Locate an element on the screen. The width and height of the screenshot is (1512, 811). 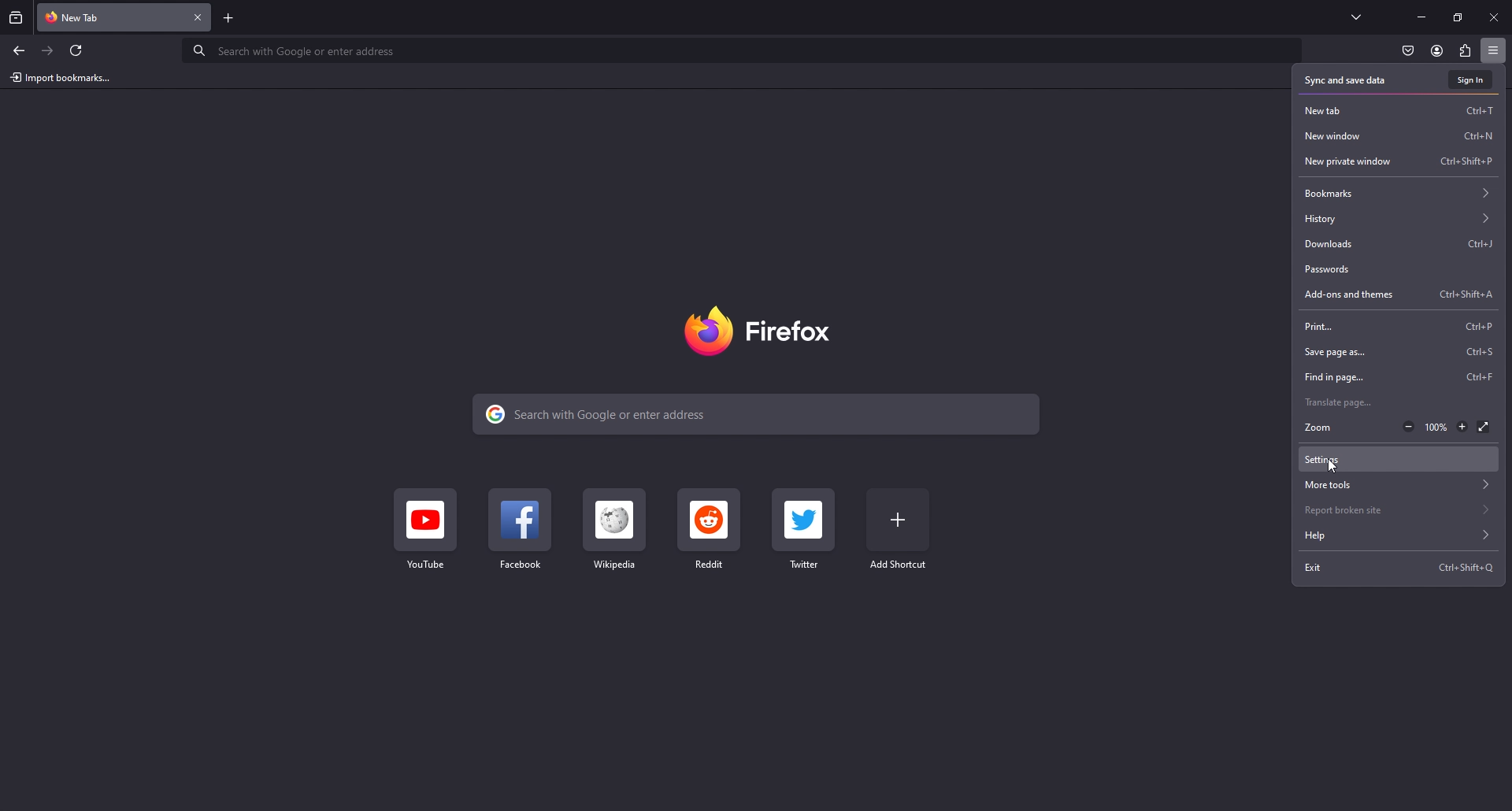
more tools is located at coordinates (1399, 485).